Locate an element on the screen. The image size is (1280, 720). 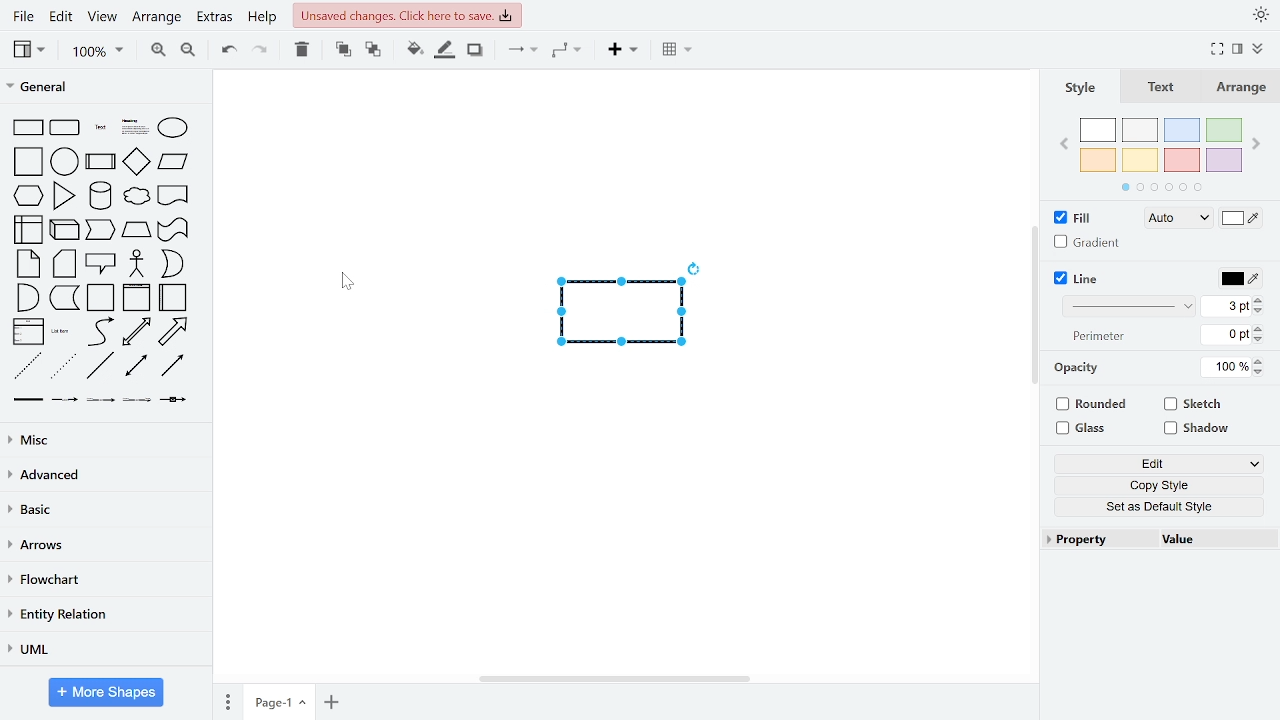
line is located at coordinates (1078, 279).